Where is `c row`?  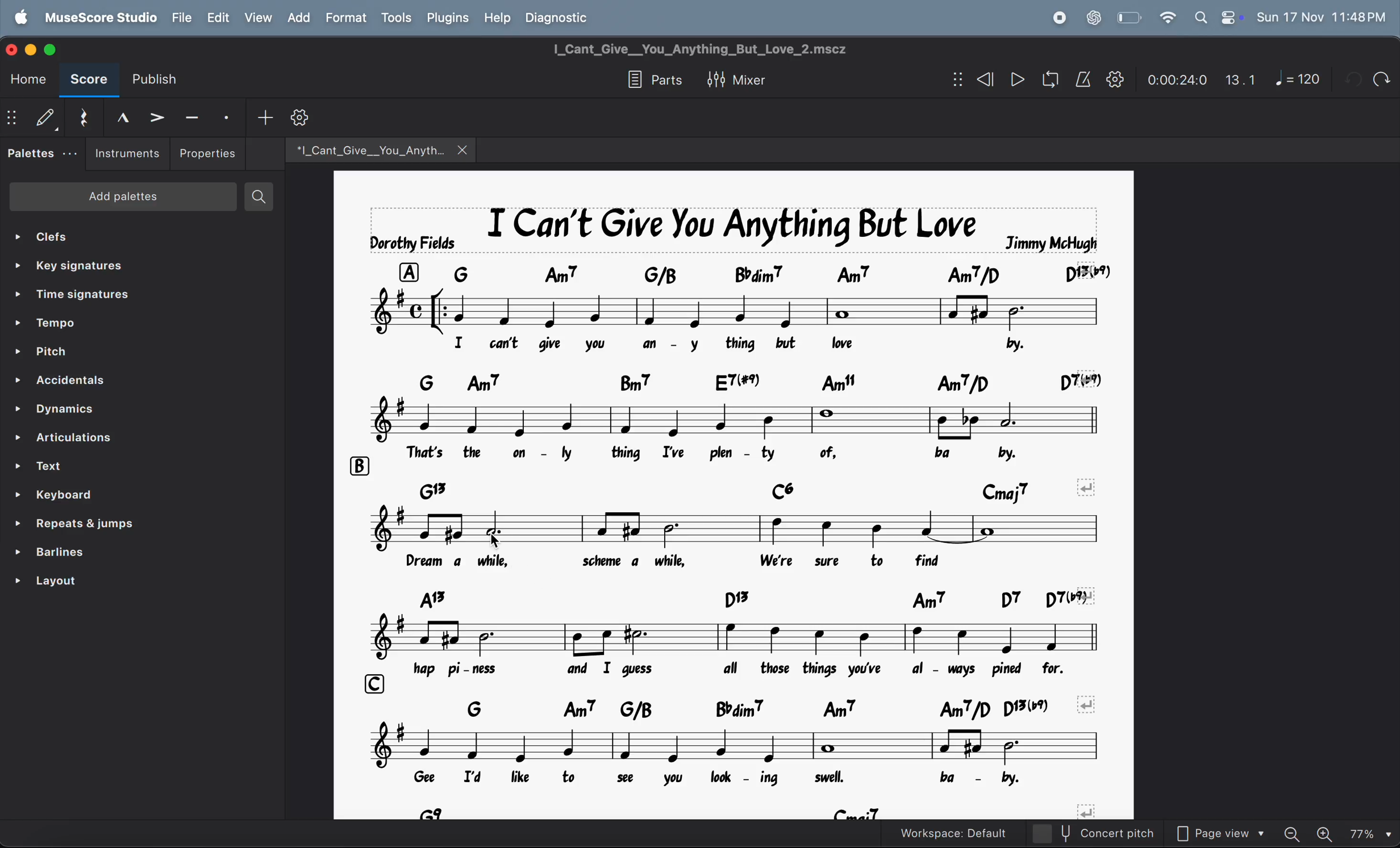
c row is located at coordinates (371, 682).